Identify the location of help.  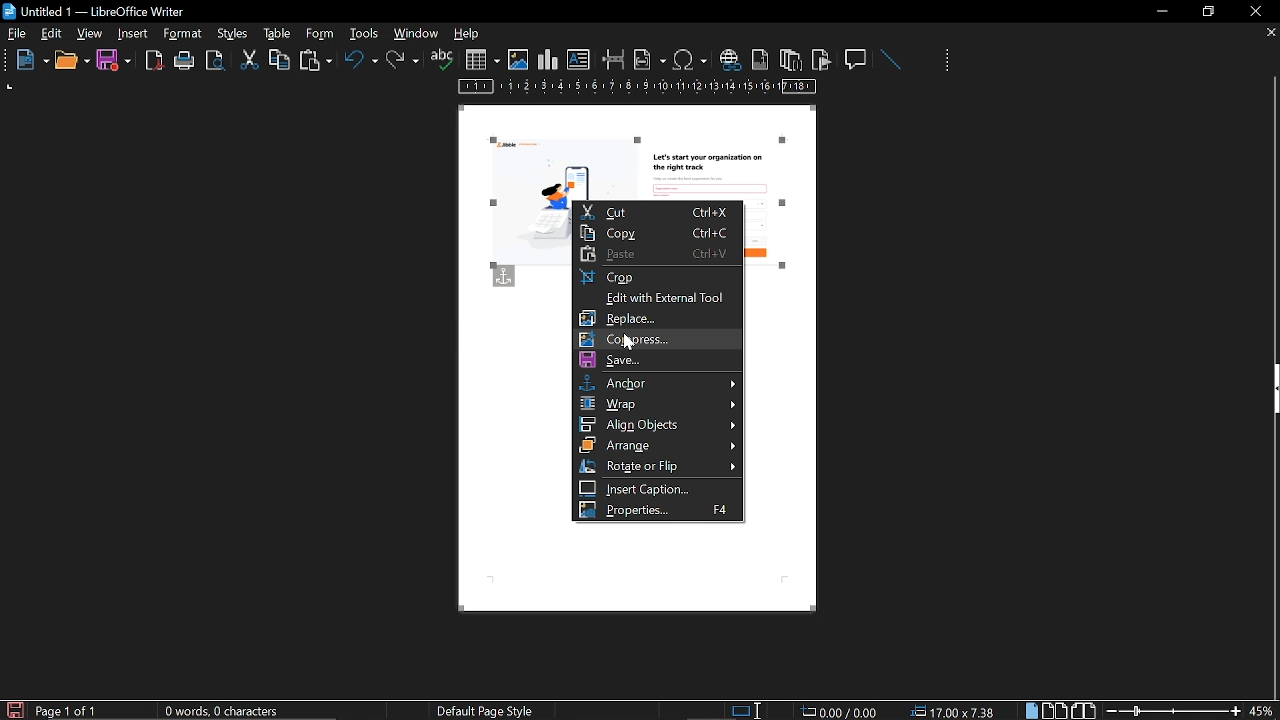
(470, 35).